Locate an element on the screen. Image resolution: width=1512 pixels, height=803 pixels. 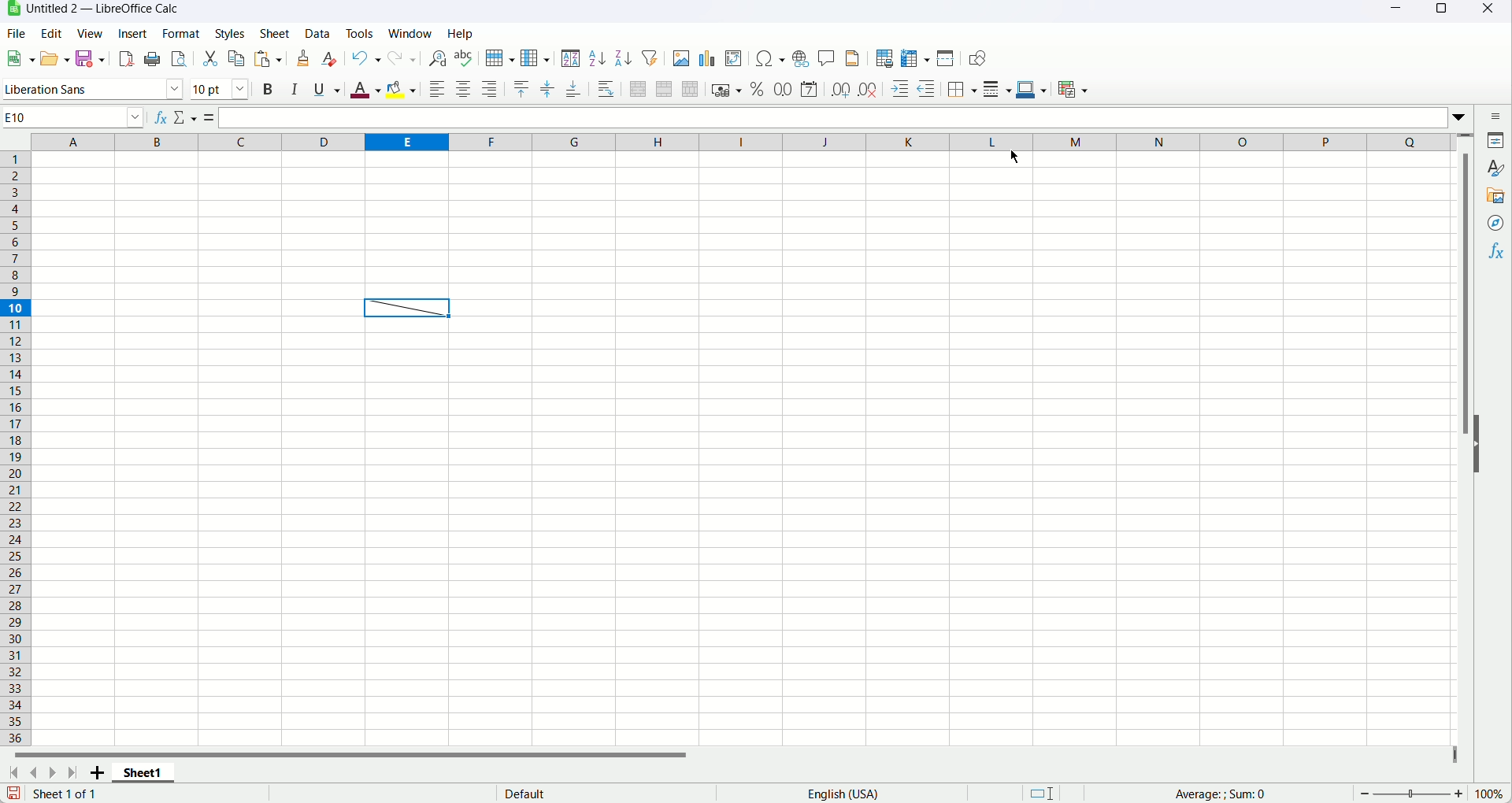
Define print area is located at coordinates (884, 57).